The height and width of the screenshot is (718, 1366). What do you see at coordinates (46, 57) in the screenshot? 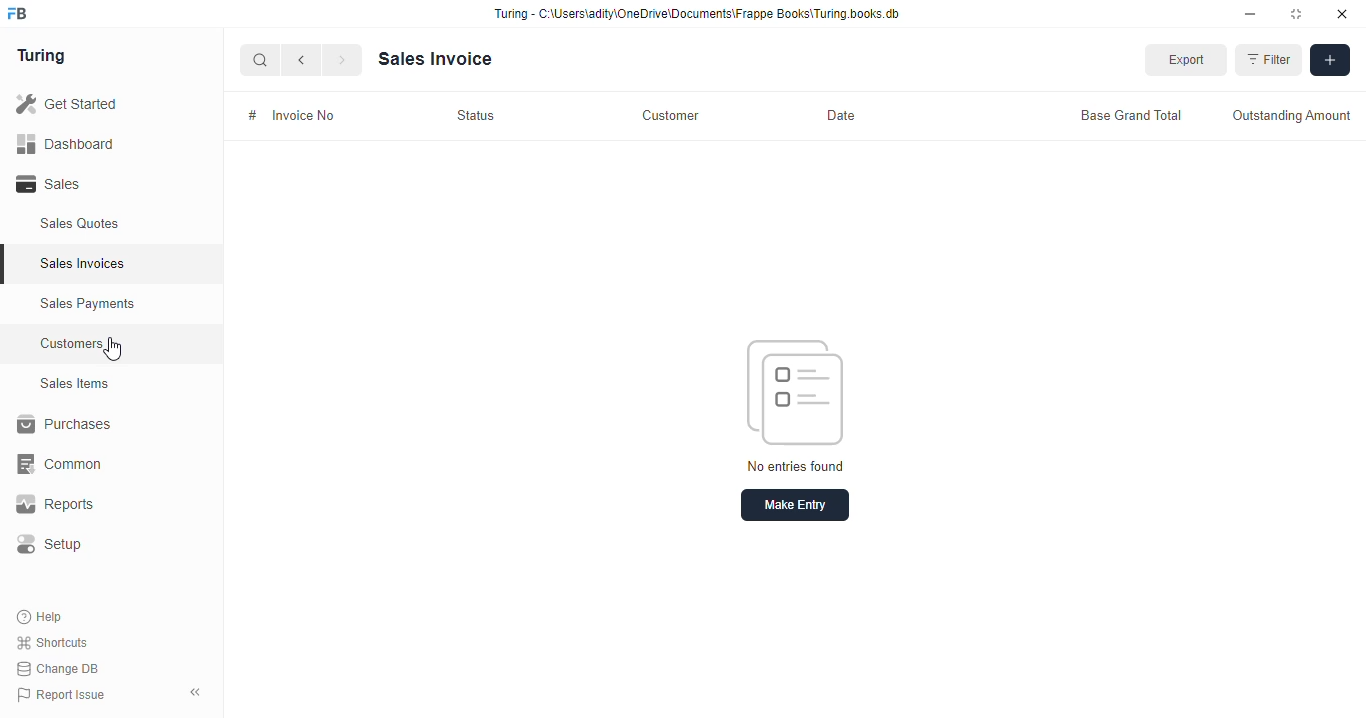
I see `Turing` at bounding box center [46, 57].